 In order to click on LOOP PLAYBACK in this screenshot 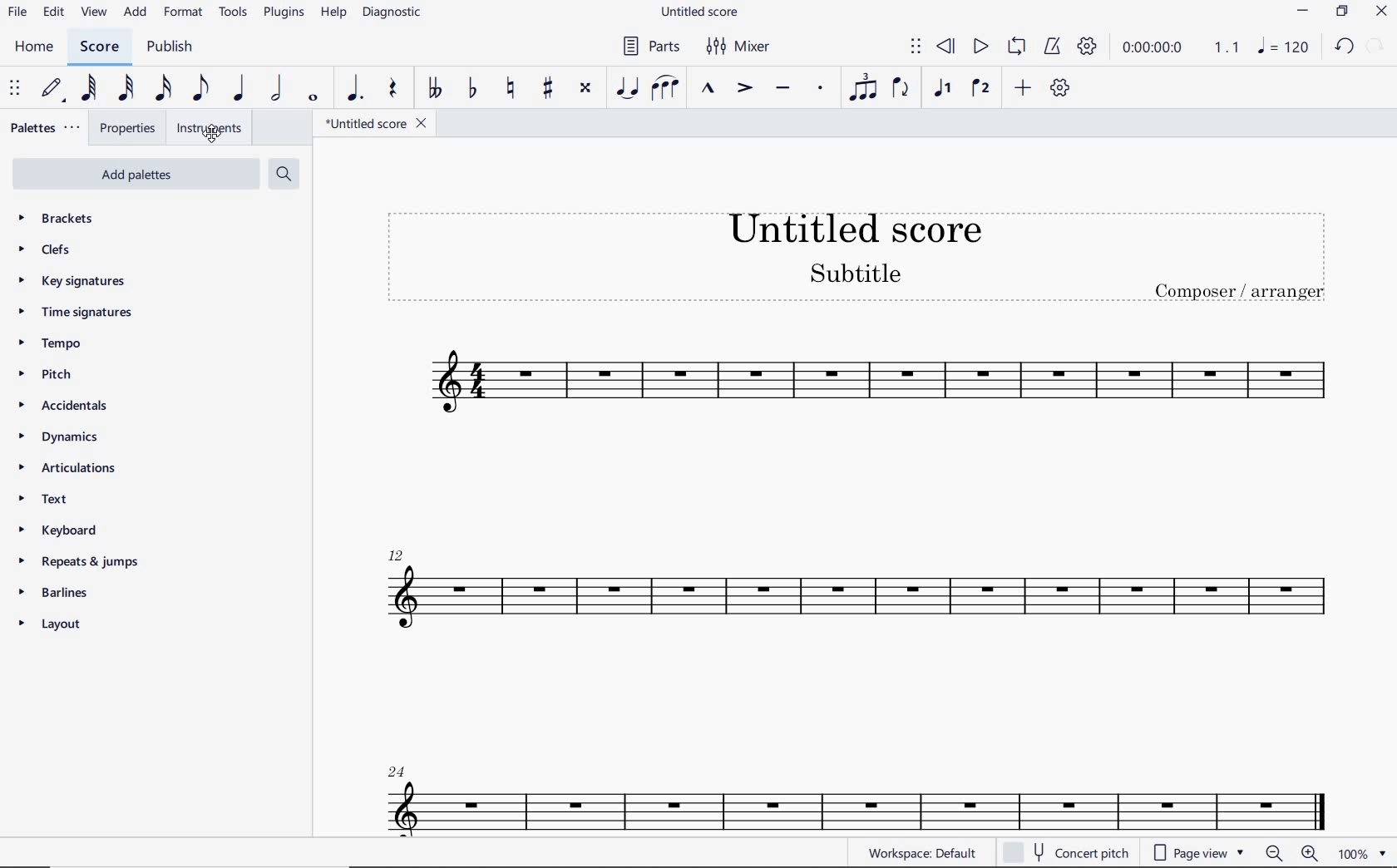, I will do `click(1015, 50)`.